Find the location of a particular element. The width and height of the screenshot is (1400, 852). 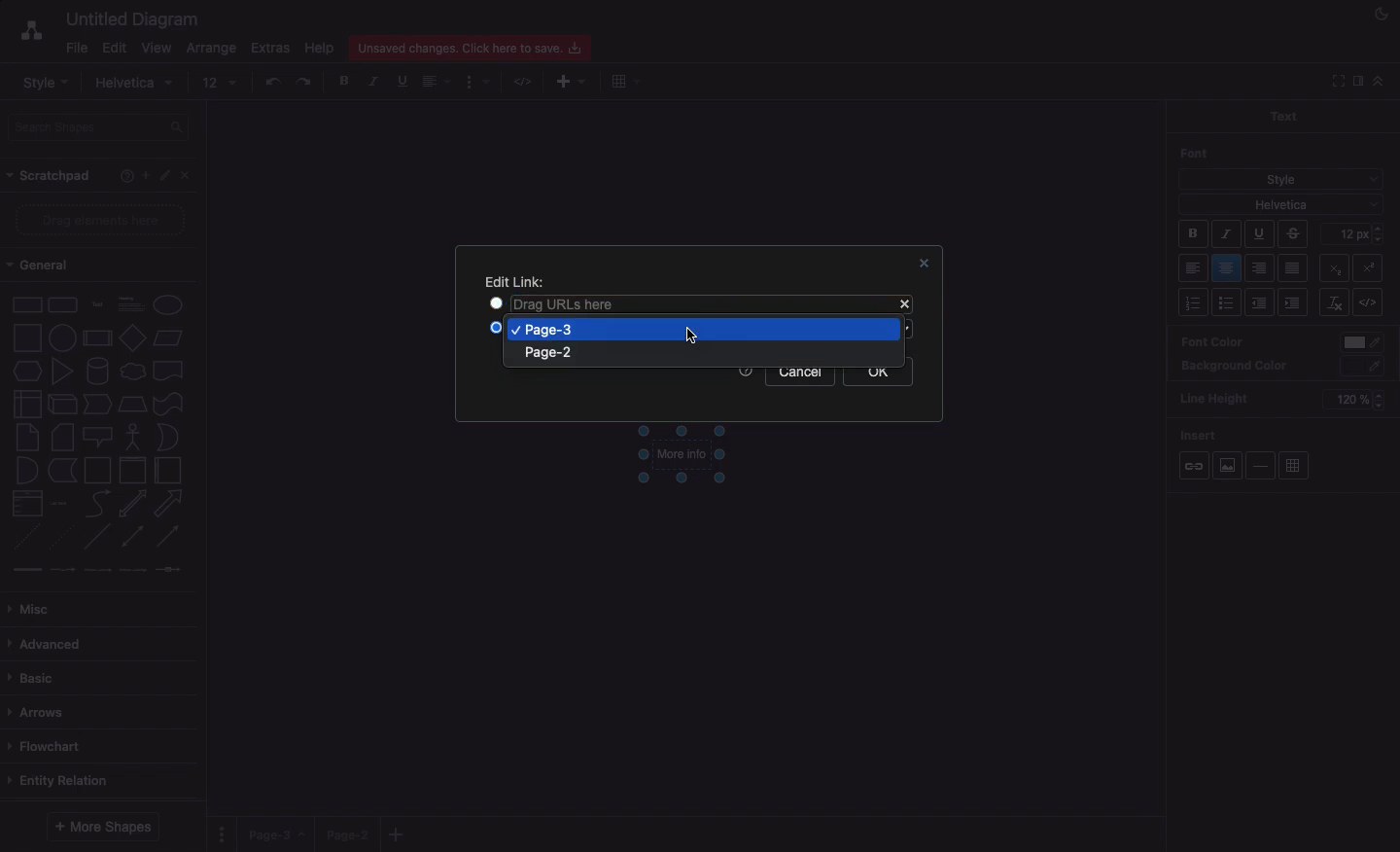

internal storage is located at coordinates (28, 404).